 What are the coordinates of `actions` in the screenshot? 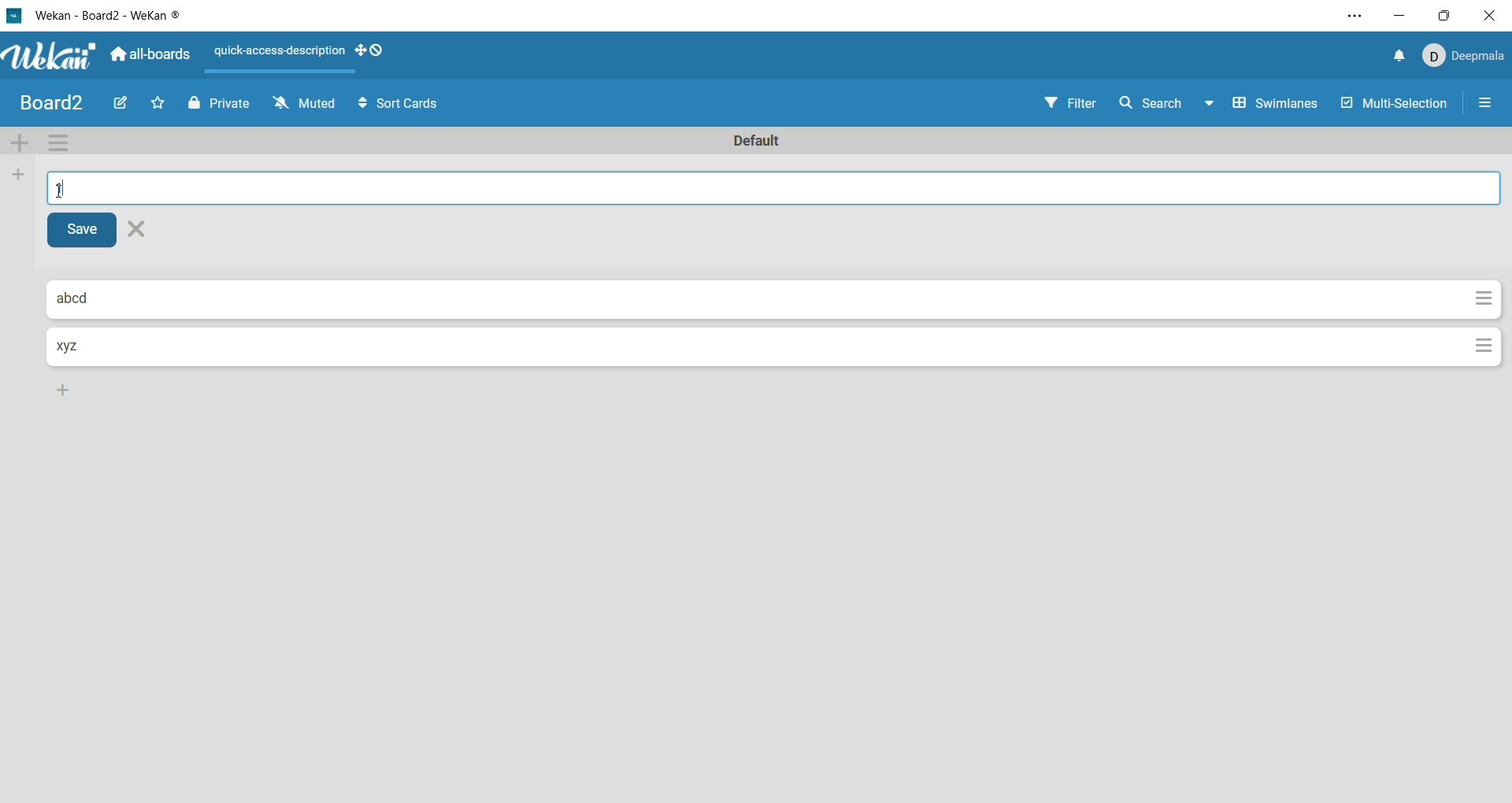 It's located at (1479, 326).